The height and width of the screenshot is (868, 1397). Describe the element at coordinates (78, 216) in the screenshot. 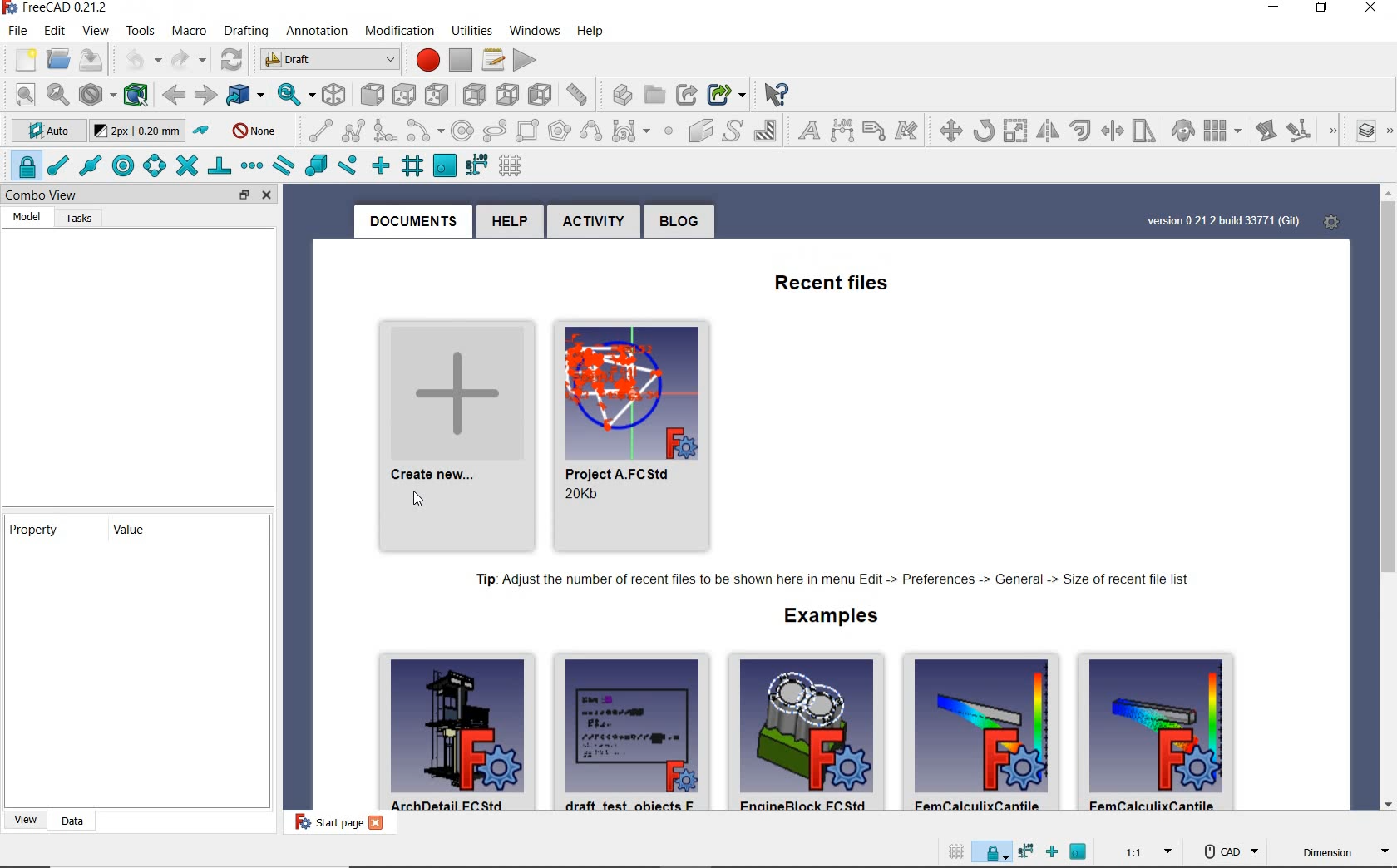

I see `tasks` at that location.